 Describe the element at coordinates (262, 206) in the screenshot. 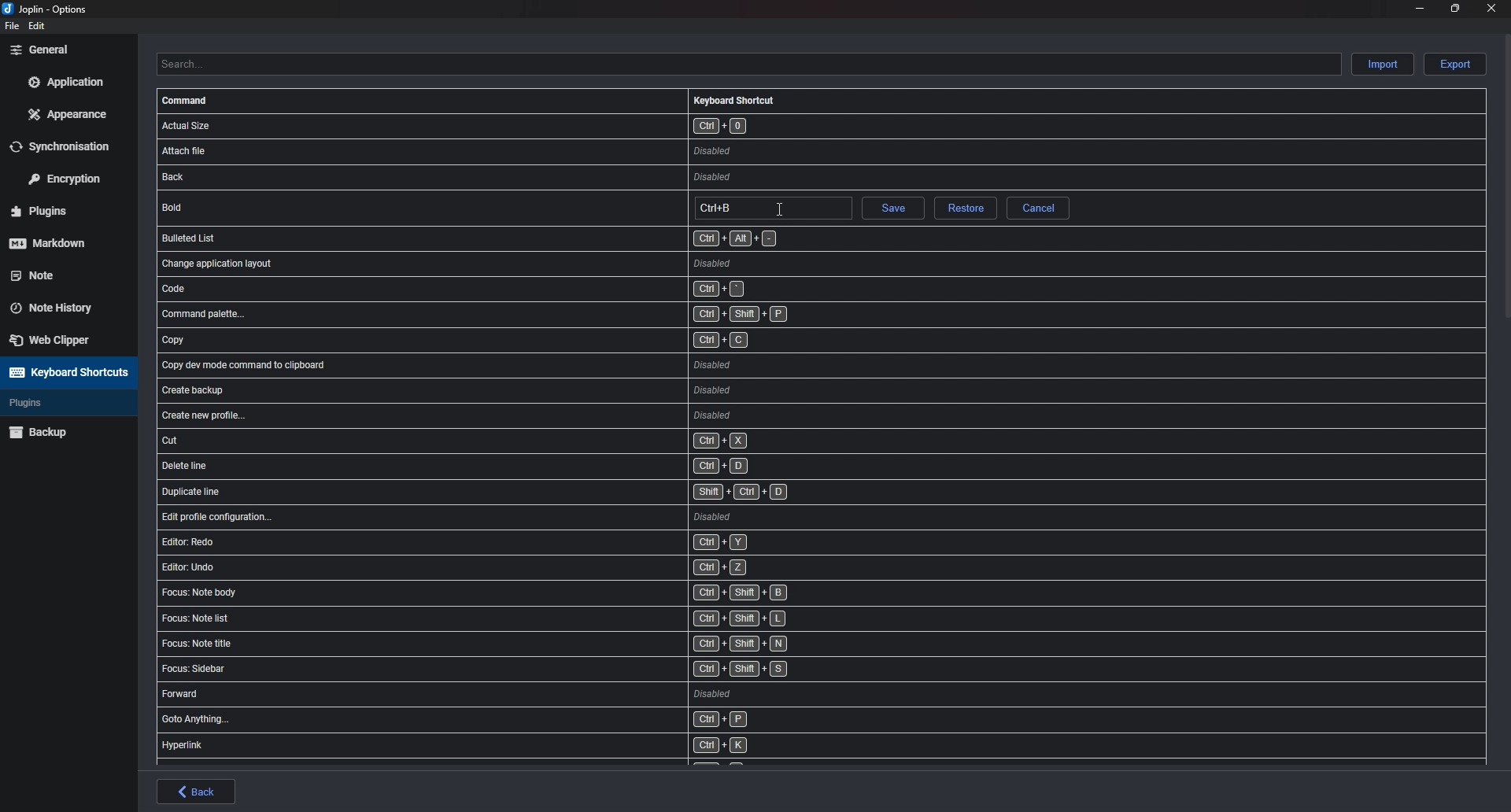

I see `bold` at that location.